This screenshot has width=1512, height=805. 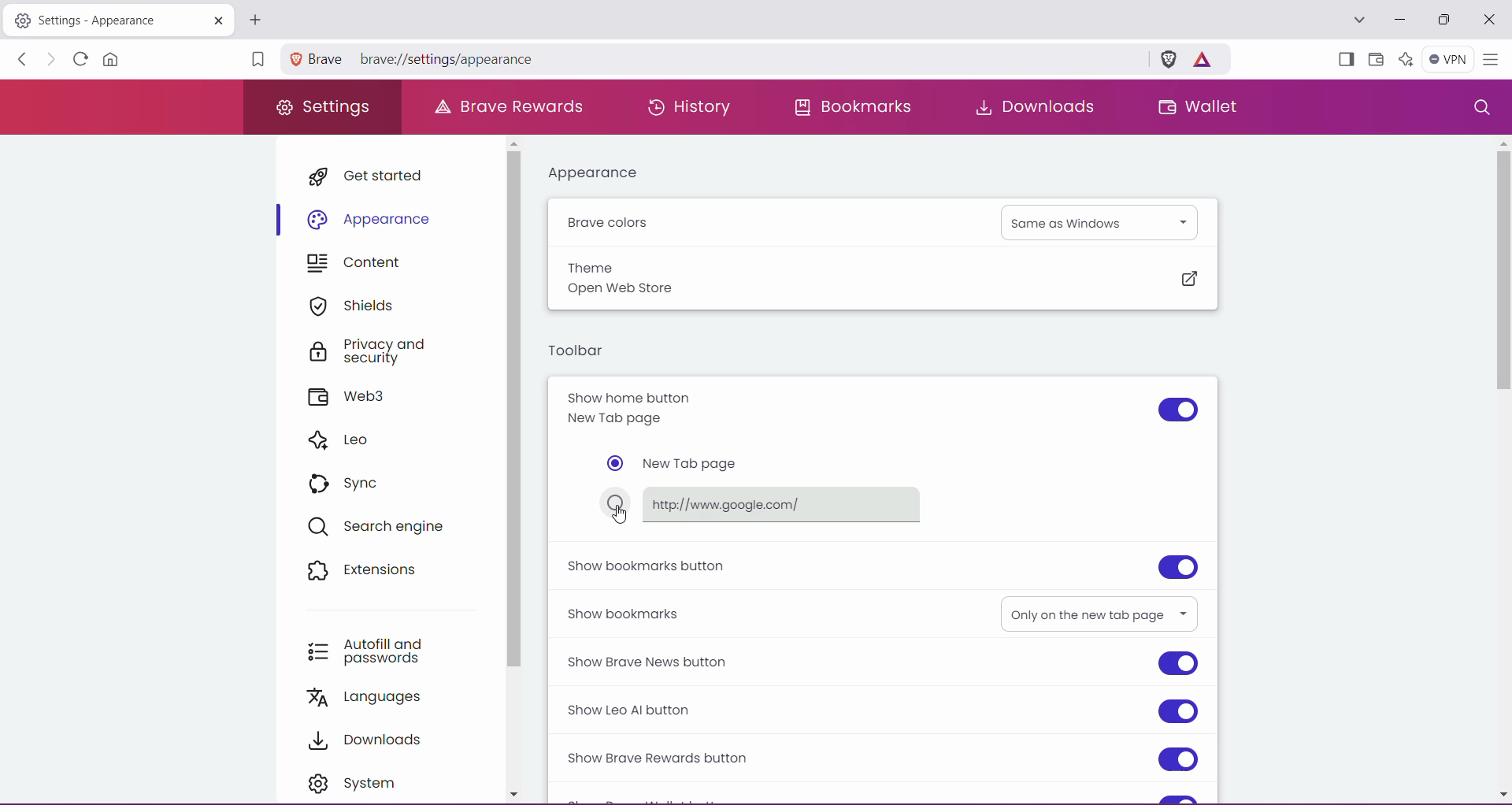 What do you see at coordinates (1358, 20) in the screenshot?
I see `Search tabs` at bounding box center [1358, 20].